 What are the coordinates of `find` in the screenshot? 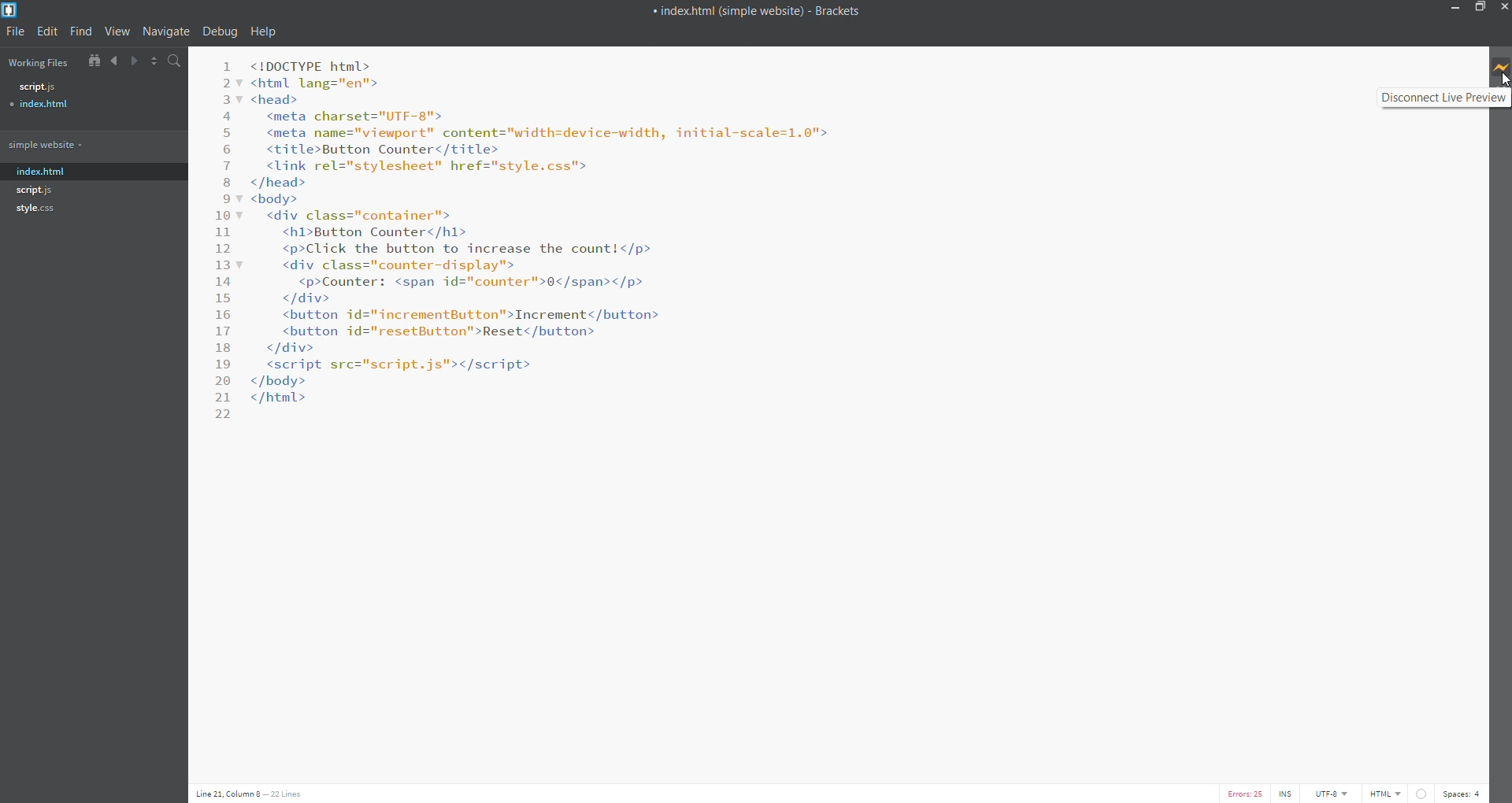 It's located at (81, 33).